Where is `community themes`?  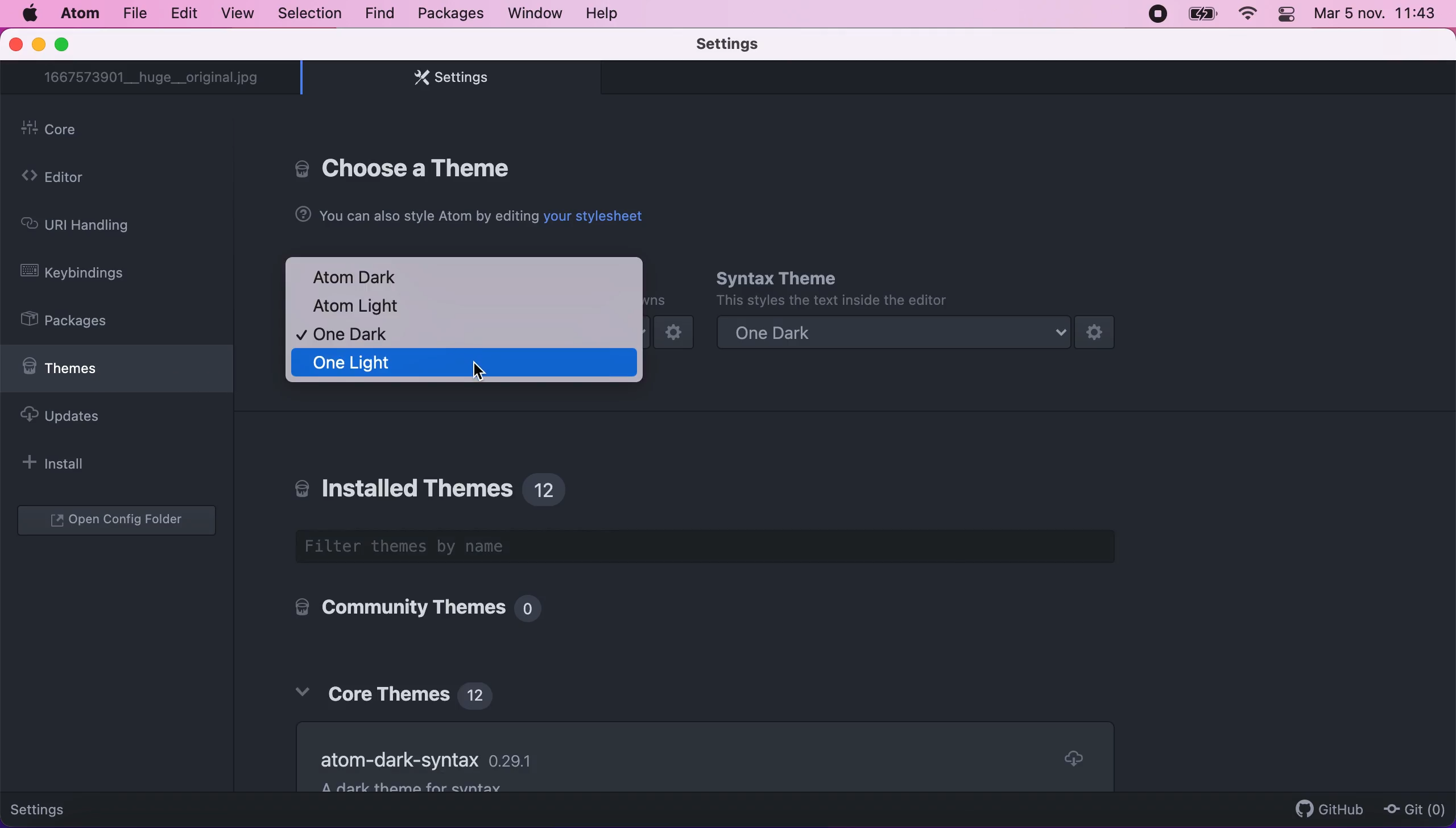
community themes is located at coordinates (411, 610).